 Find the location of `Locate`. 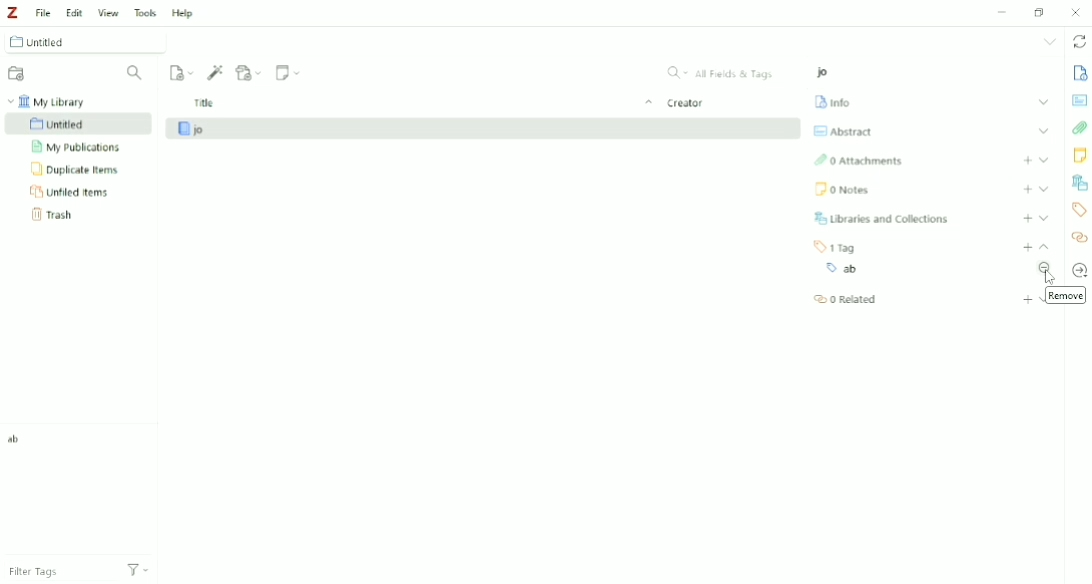

Locate is located at coordinates (1080, 271).